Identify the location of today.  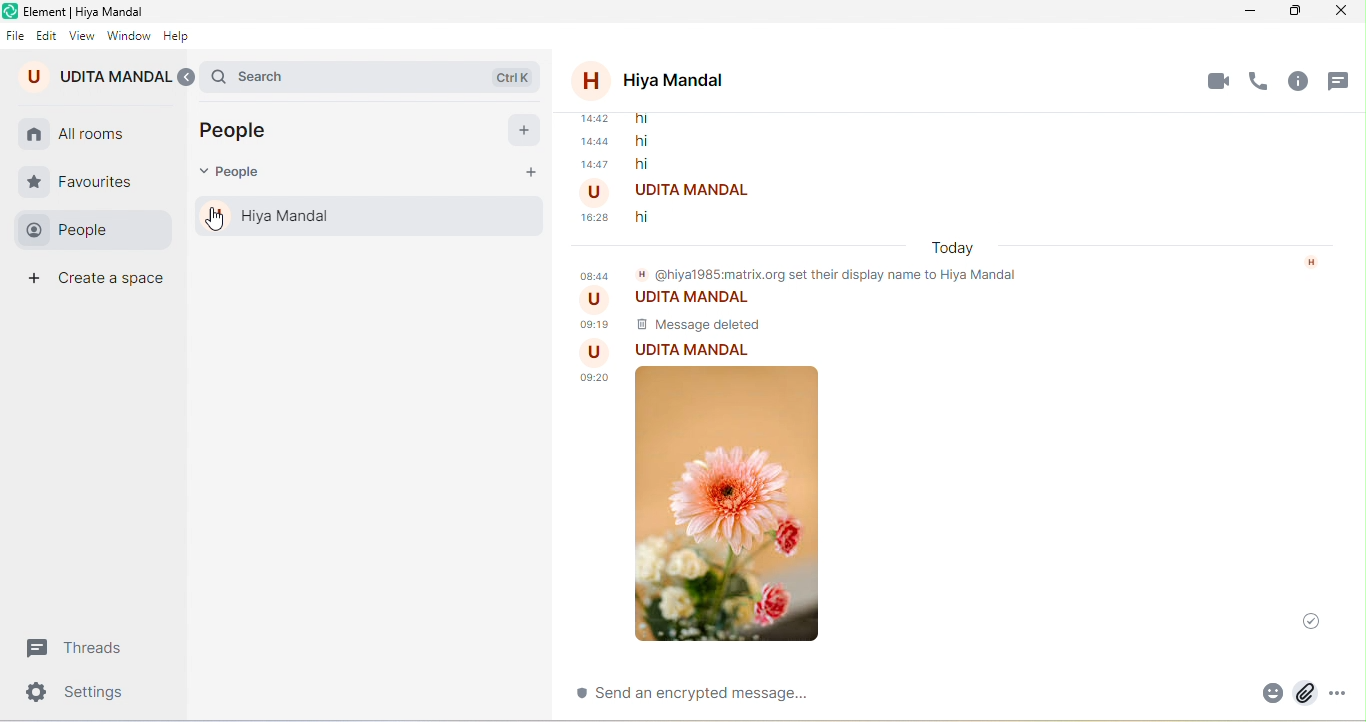
(951, 249).